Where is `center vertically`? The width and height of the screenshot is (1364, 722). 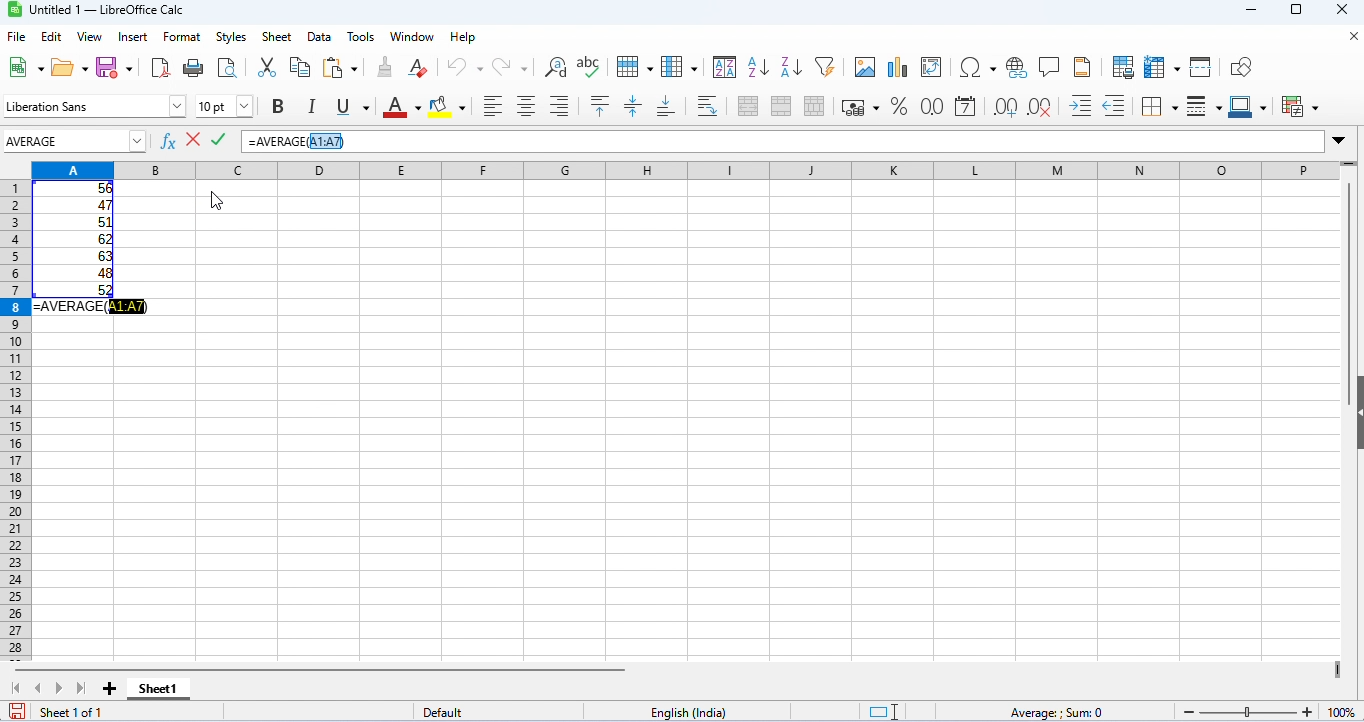
center vertically is located at coordinates (632, 106).